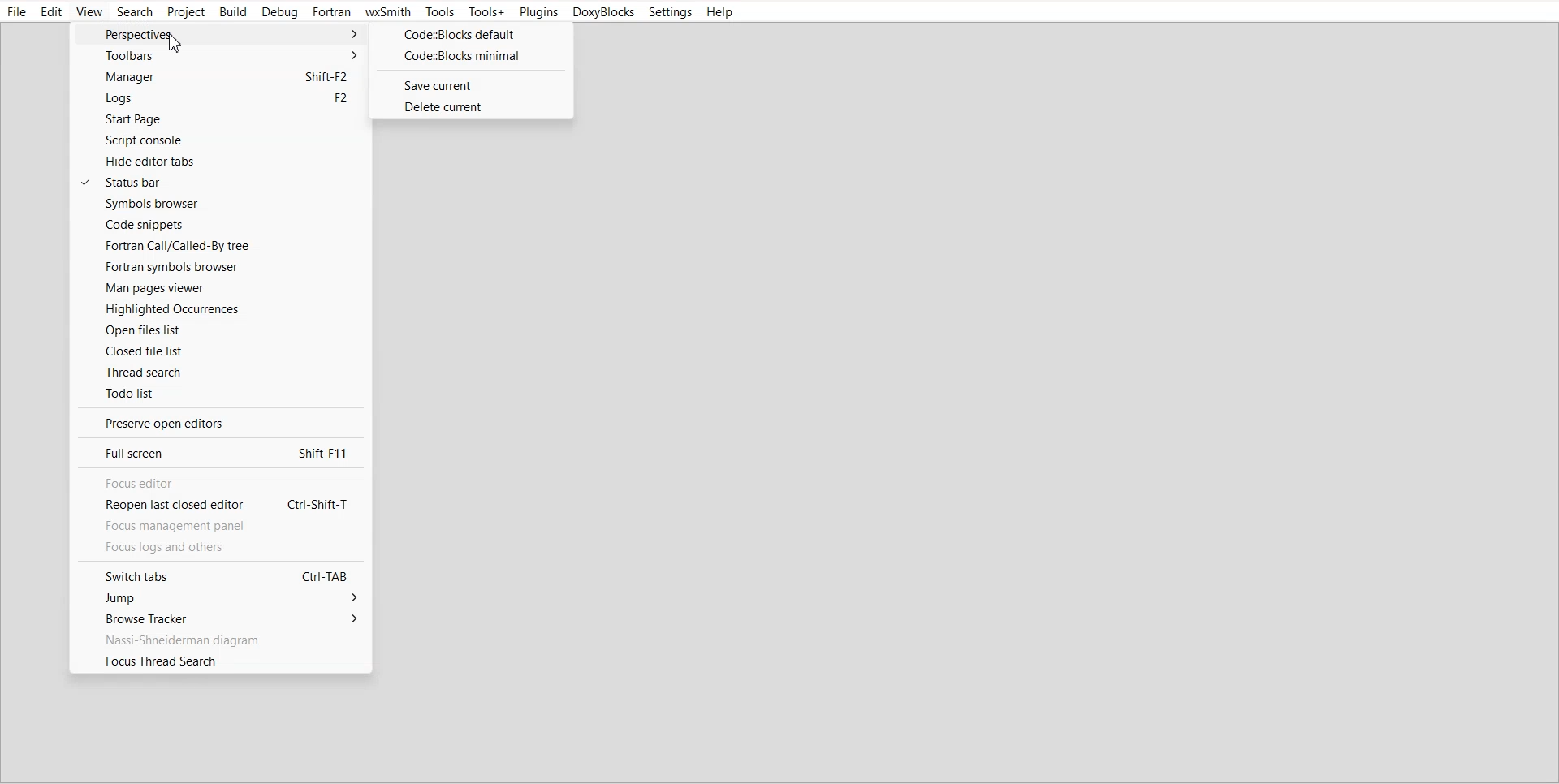 This screenshot has width=1559, height=784. I want to click on Open files list, so click(220, 330).